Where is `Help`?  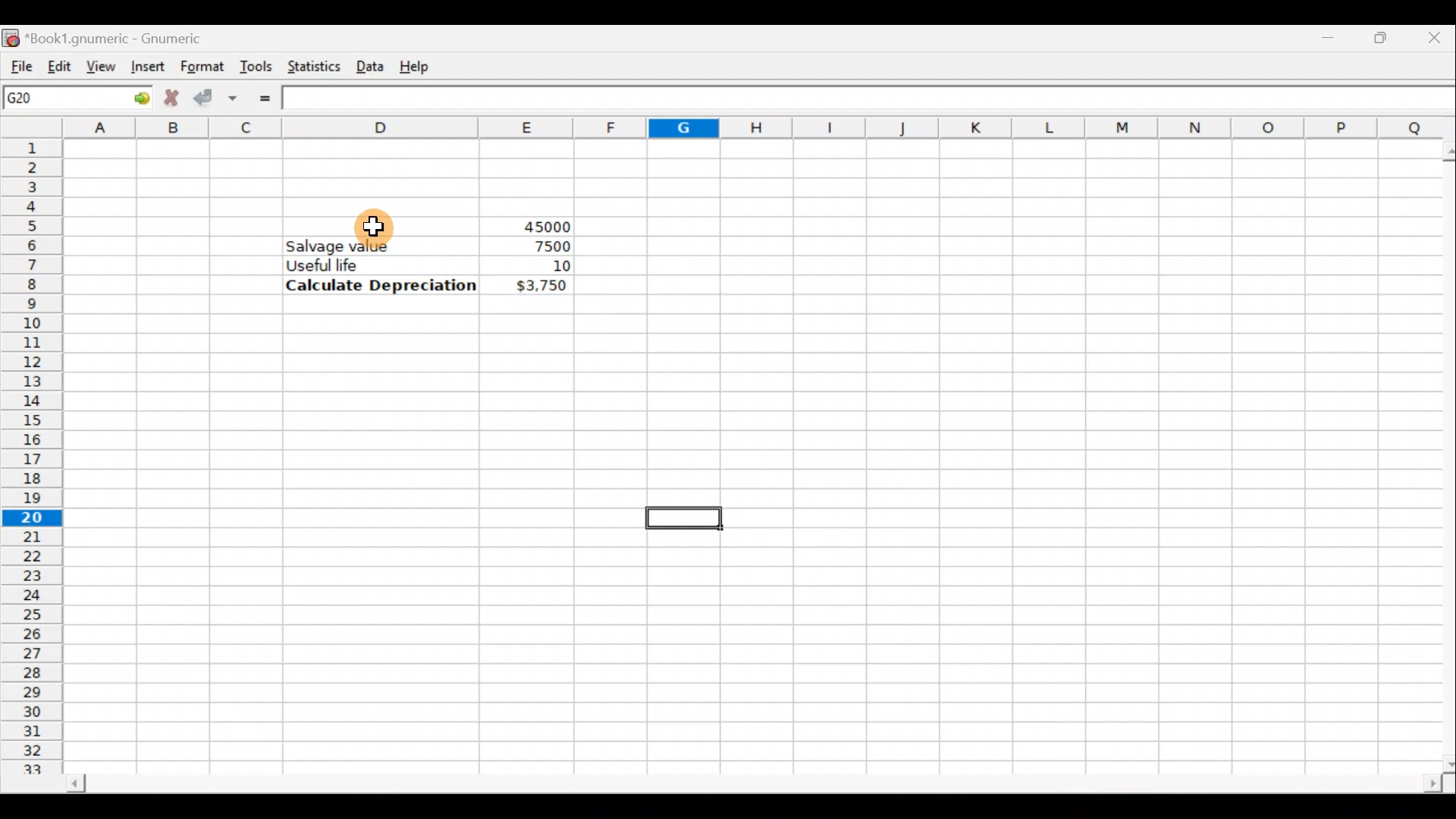
Help is located at coordinates (422, 67).